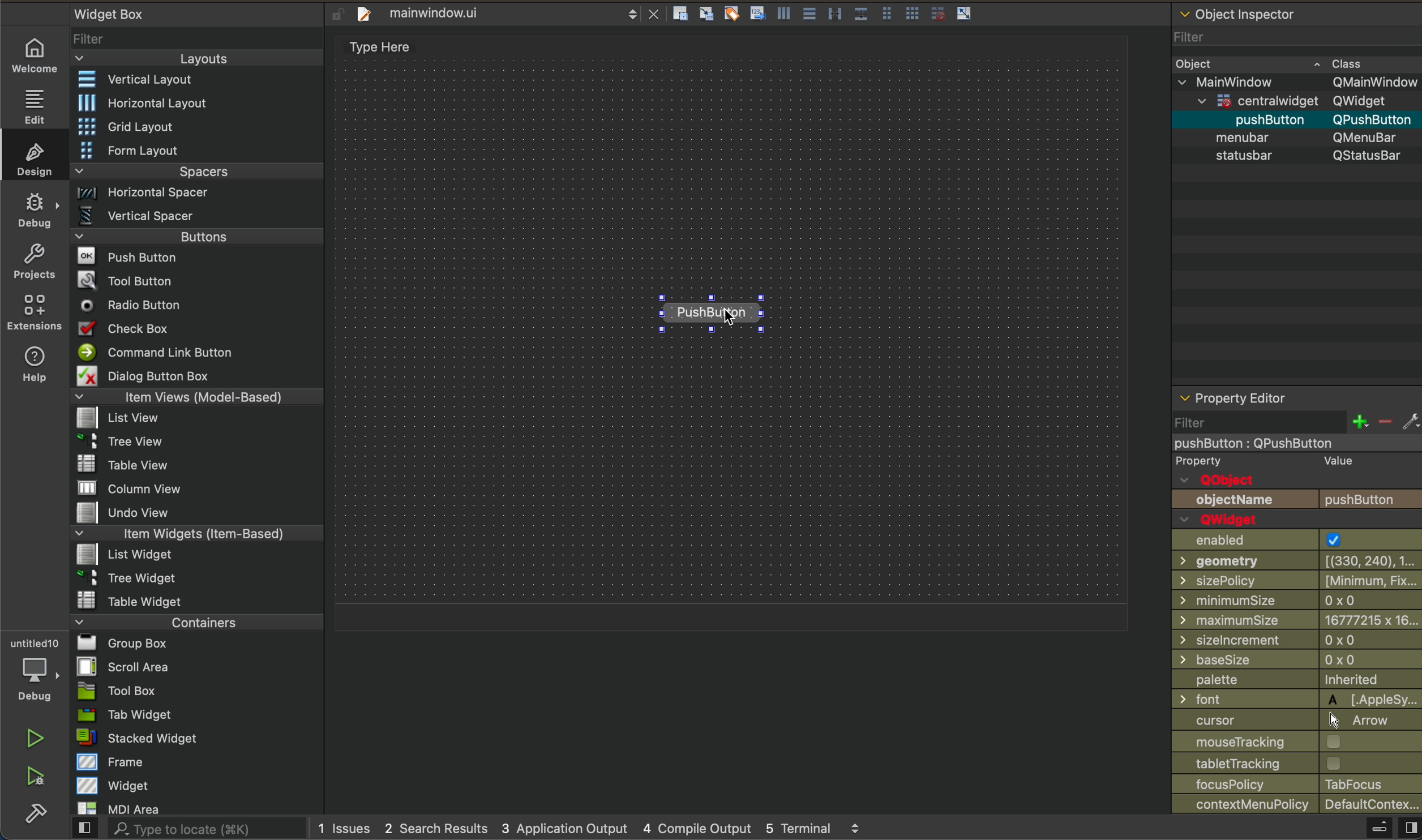 Image resolution: width=1422 pixels, height=840 pixels. I want to click on projects, so click(34, 261).